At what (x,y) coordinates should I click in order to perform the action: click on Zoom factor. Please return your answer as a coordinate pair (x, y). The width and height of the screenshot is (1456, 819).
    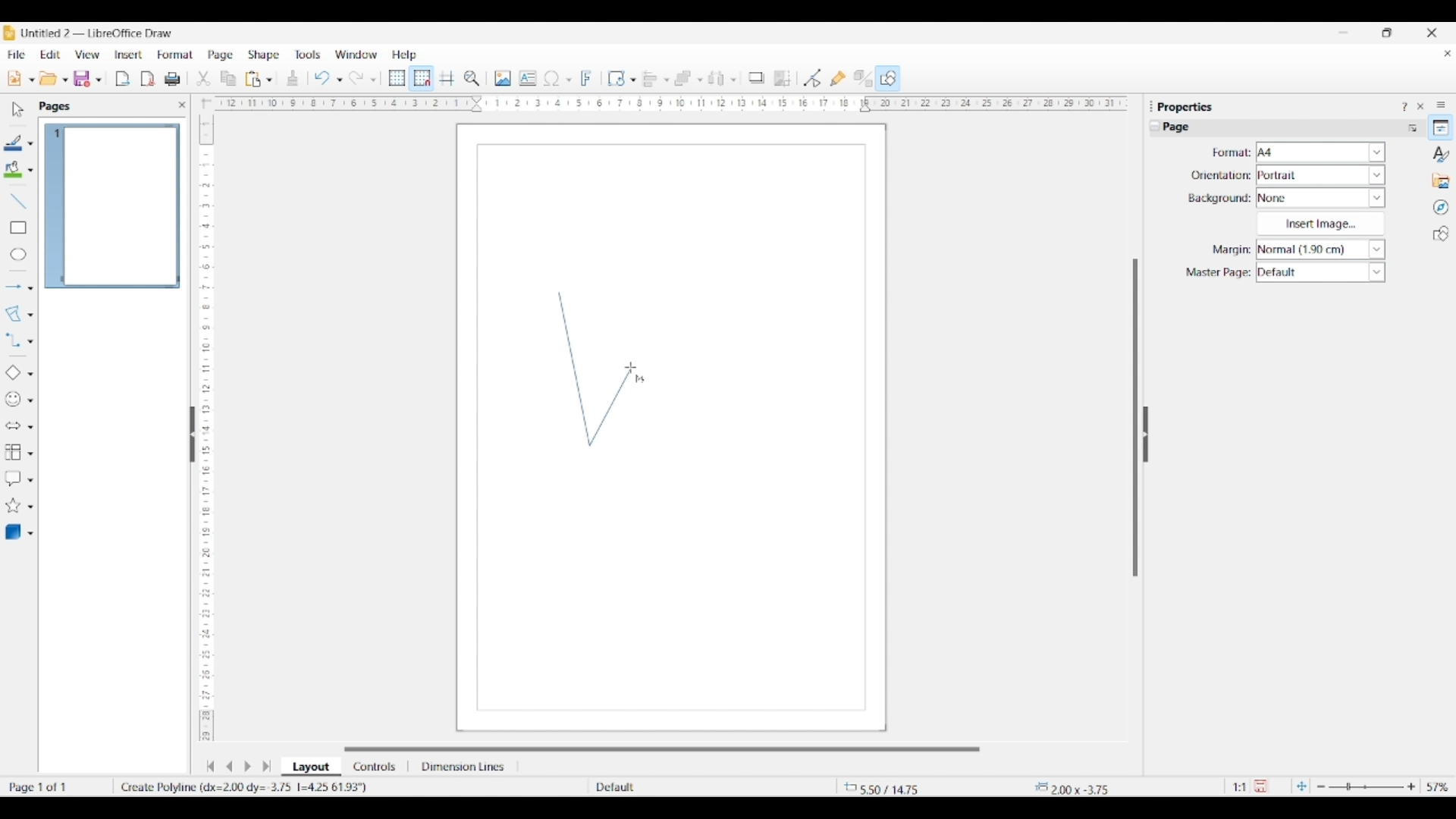
    Looking at the image, I should click on (1439, 787).